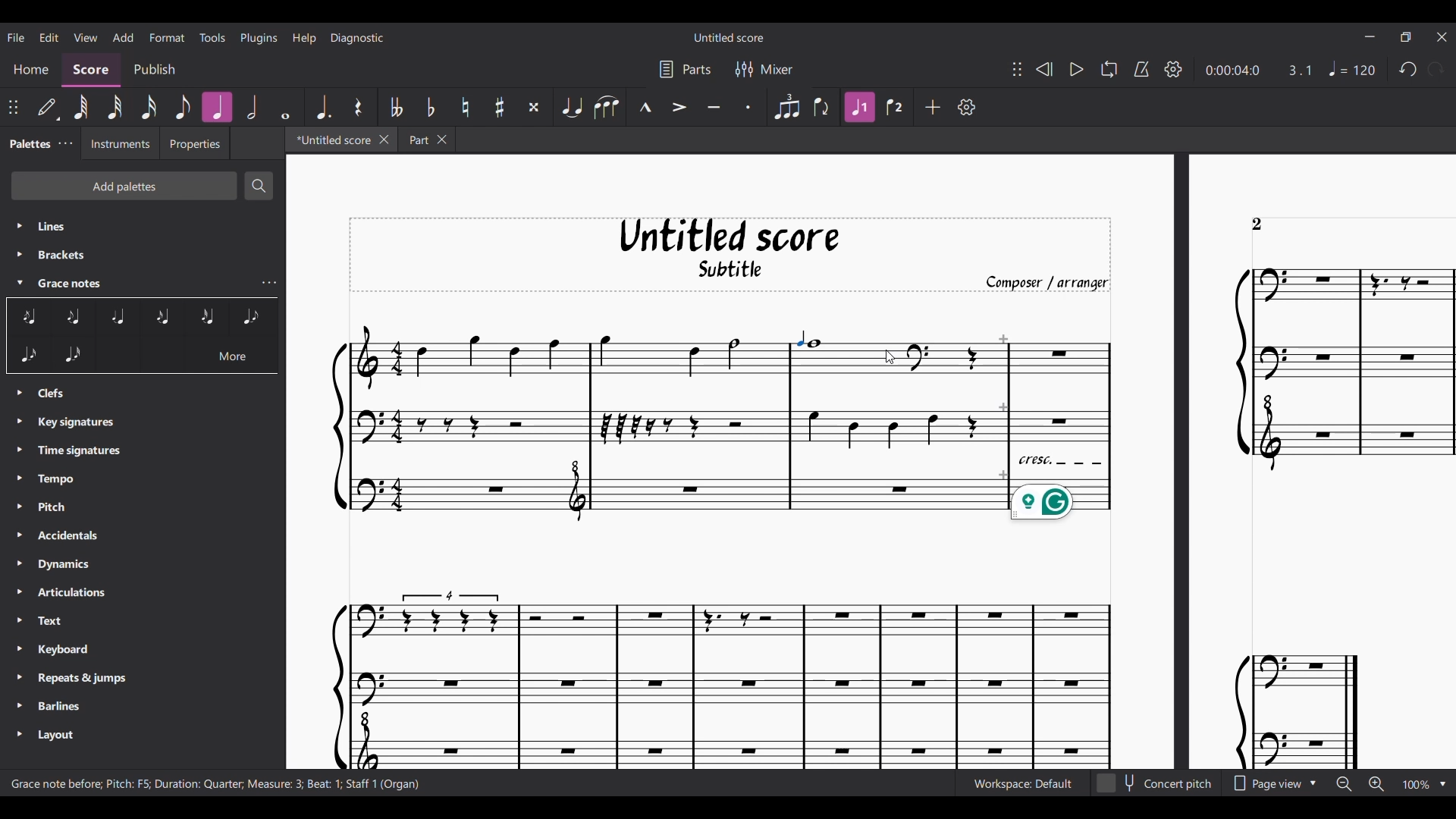 This screenshot has width=1456, height=819. What do you see at coordinates (16, 37) in the screenshot?
I see `File menu` at bounding box center [16, 37].